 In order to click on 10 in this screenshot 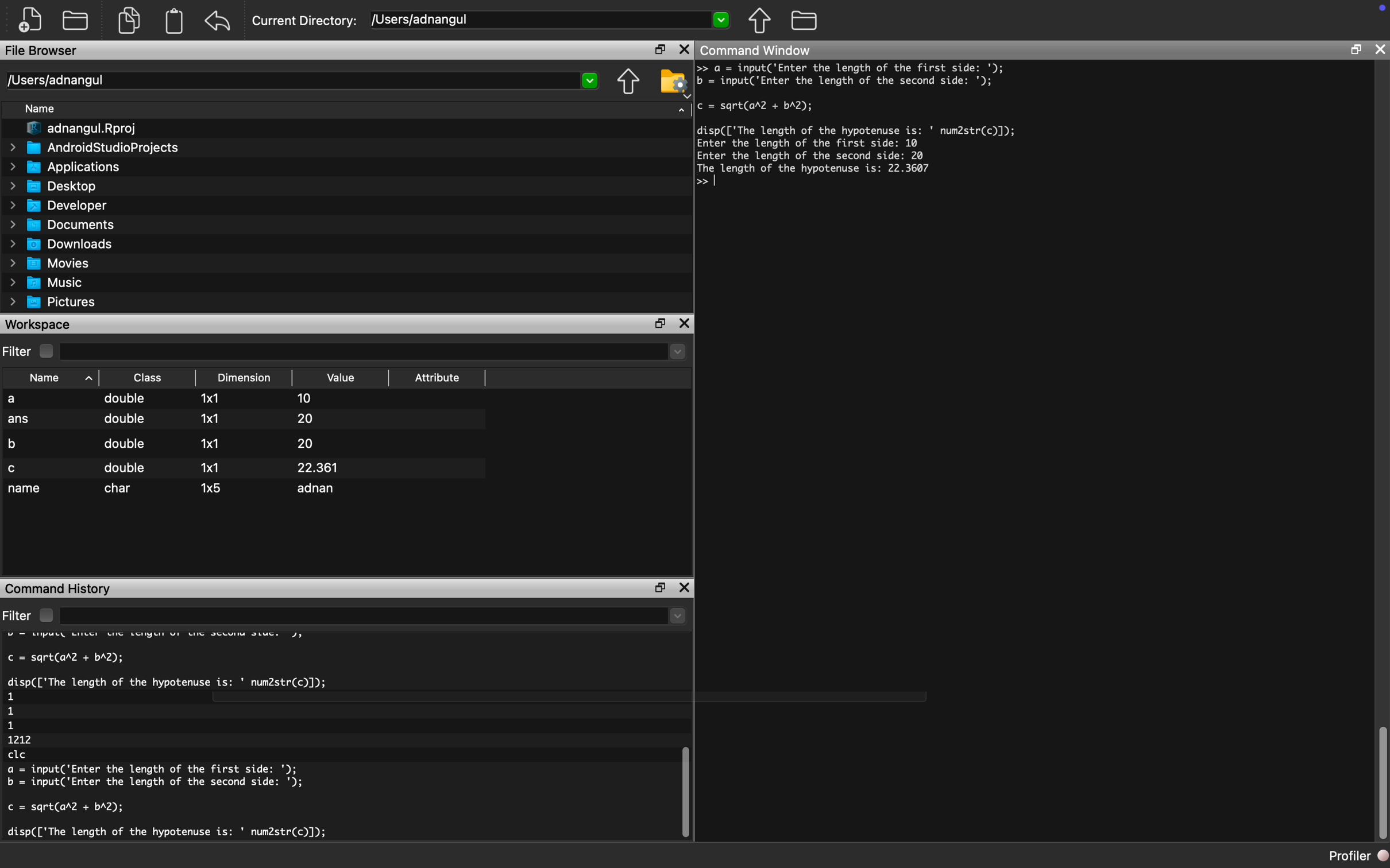, I will do `click(303, 397)`.